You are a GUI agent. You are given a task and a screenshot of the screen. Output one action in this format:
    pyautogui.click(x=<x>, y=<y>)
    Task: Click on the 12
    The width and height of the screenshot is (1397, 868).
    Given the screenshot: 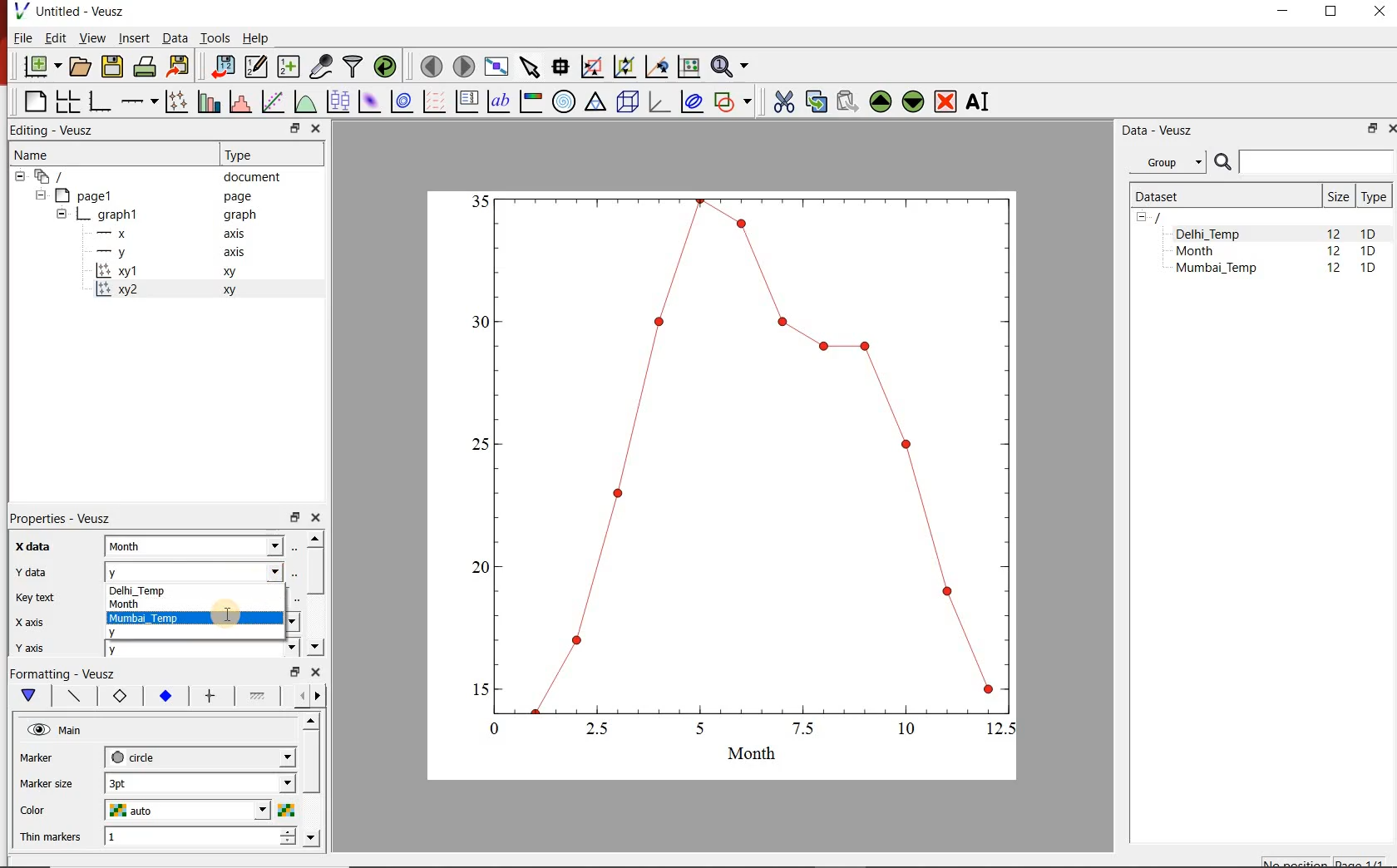 What is the action you would take?
    pyautogui.click(x=1333, y=233)
    